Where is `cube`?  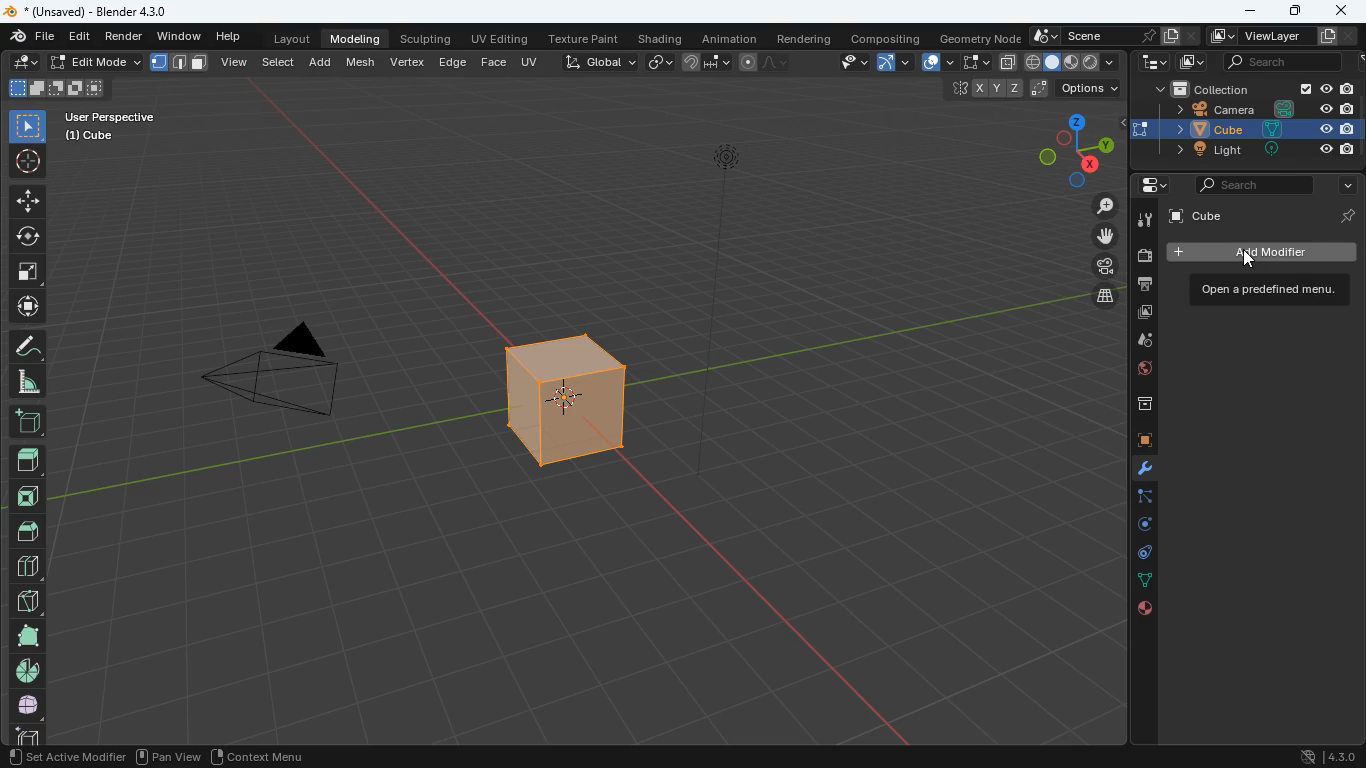 cube is located at coordinates (1246, 129).